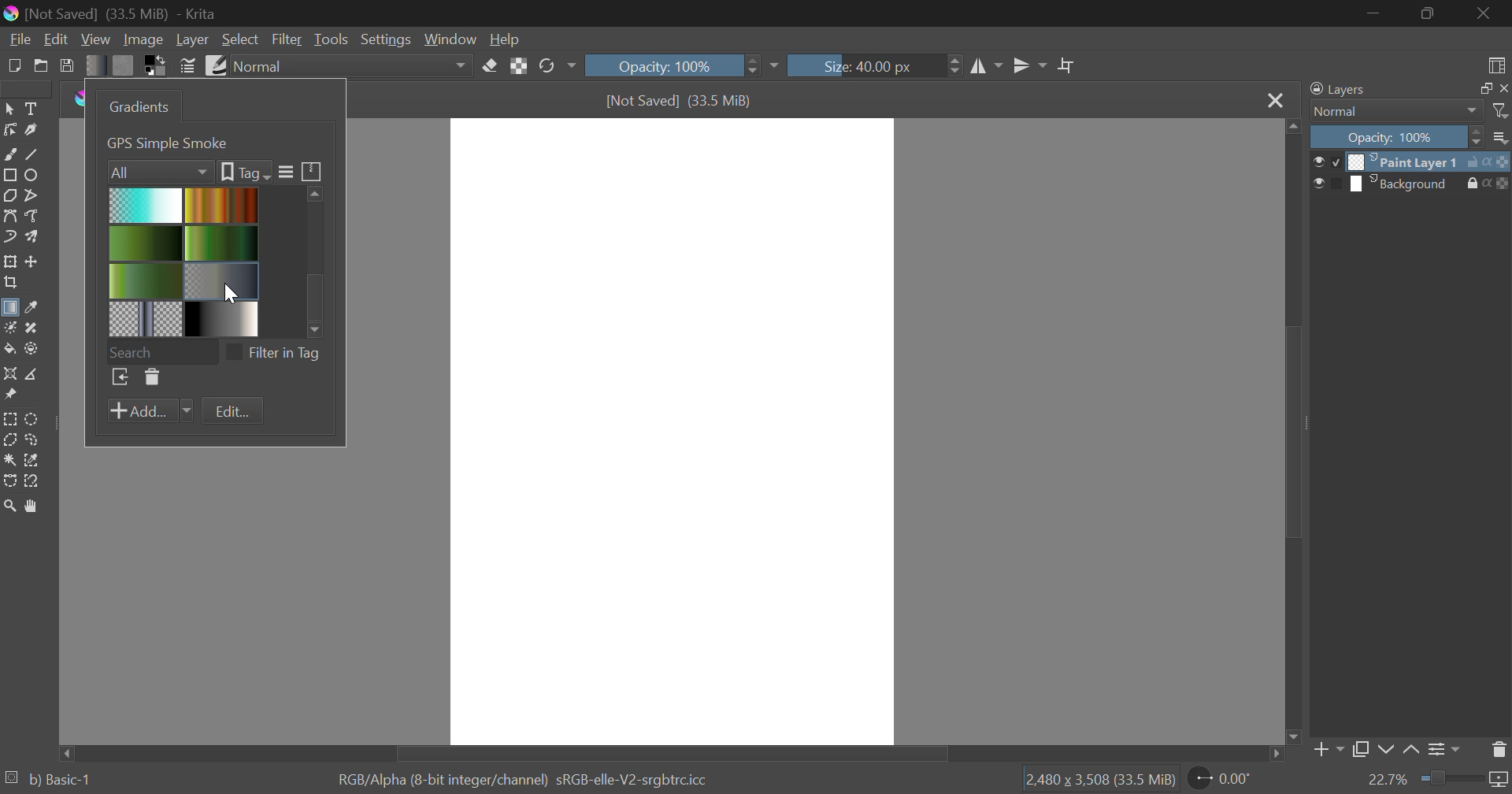  What do you see at coordinates (234, 293) in the screenshot?
I see `cursor` at bounding box center [234, 293].